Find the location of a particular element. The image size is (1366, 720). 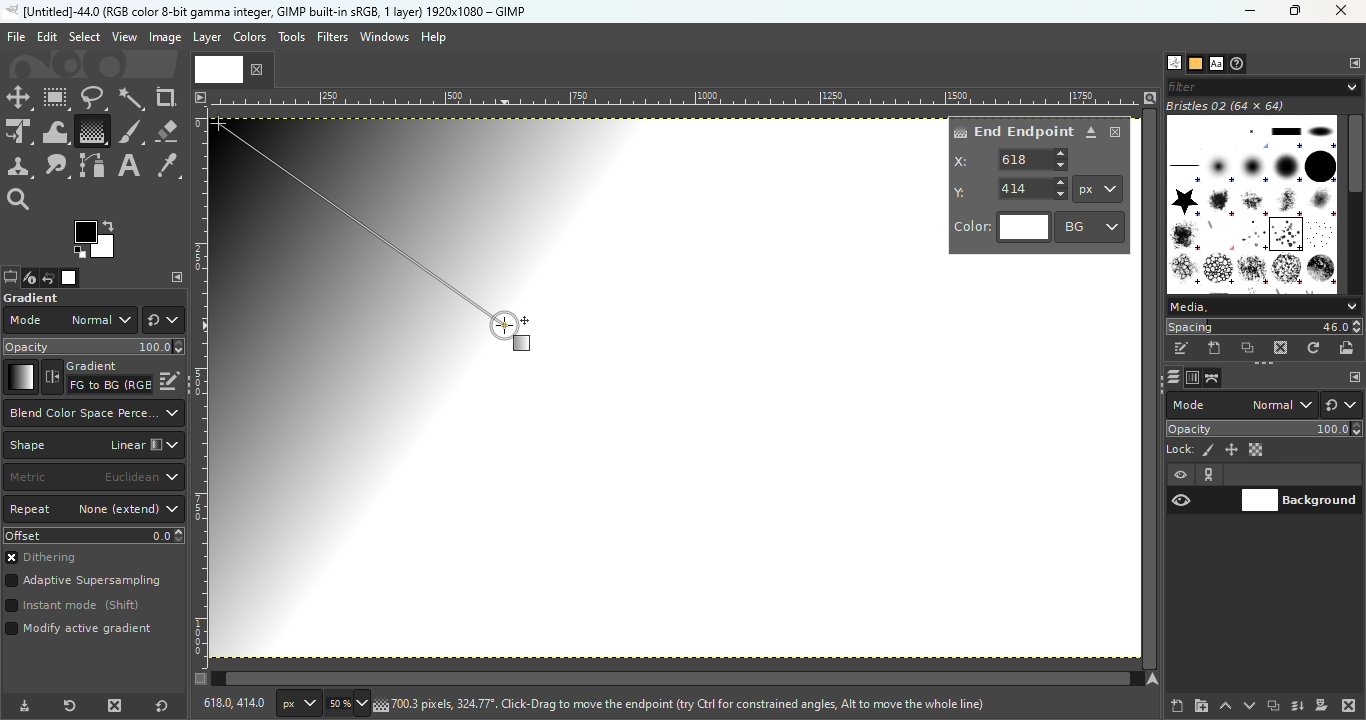

Matric to the use for the distance calculation is located at coordinates (93, 478).